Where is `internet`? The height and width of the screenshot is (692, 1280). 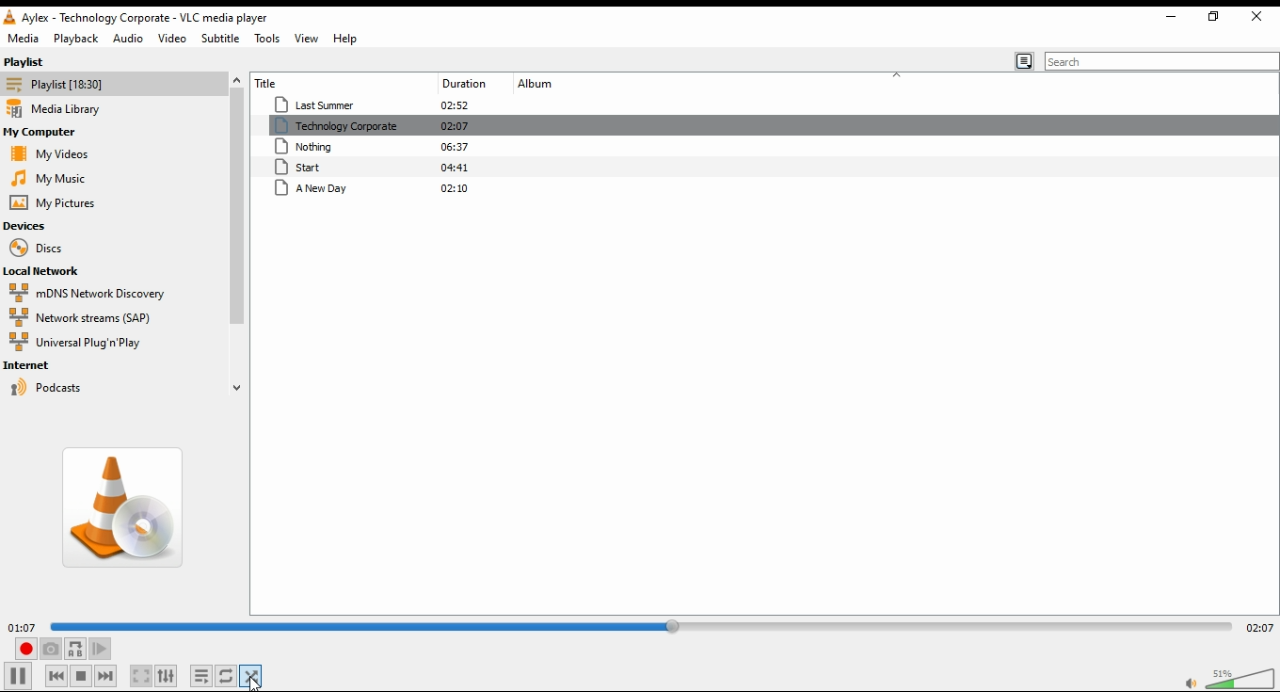 internet is located at coordinates (30, 364).